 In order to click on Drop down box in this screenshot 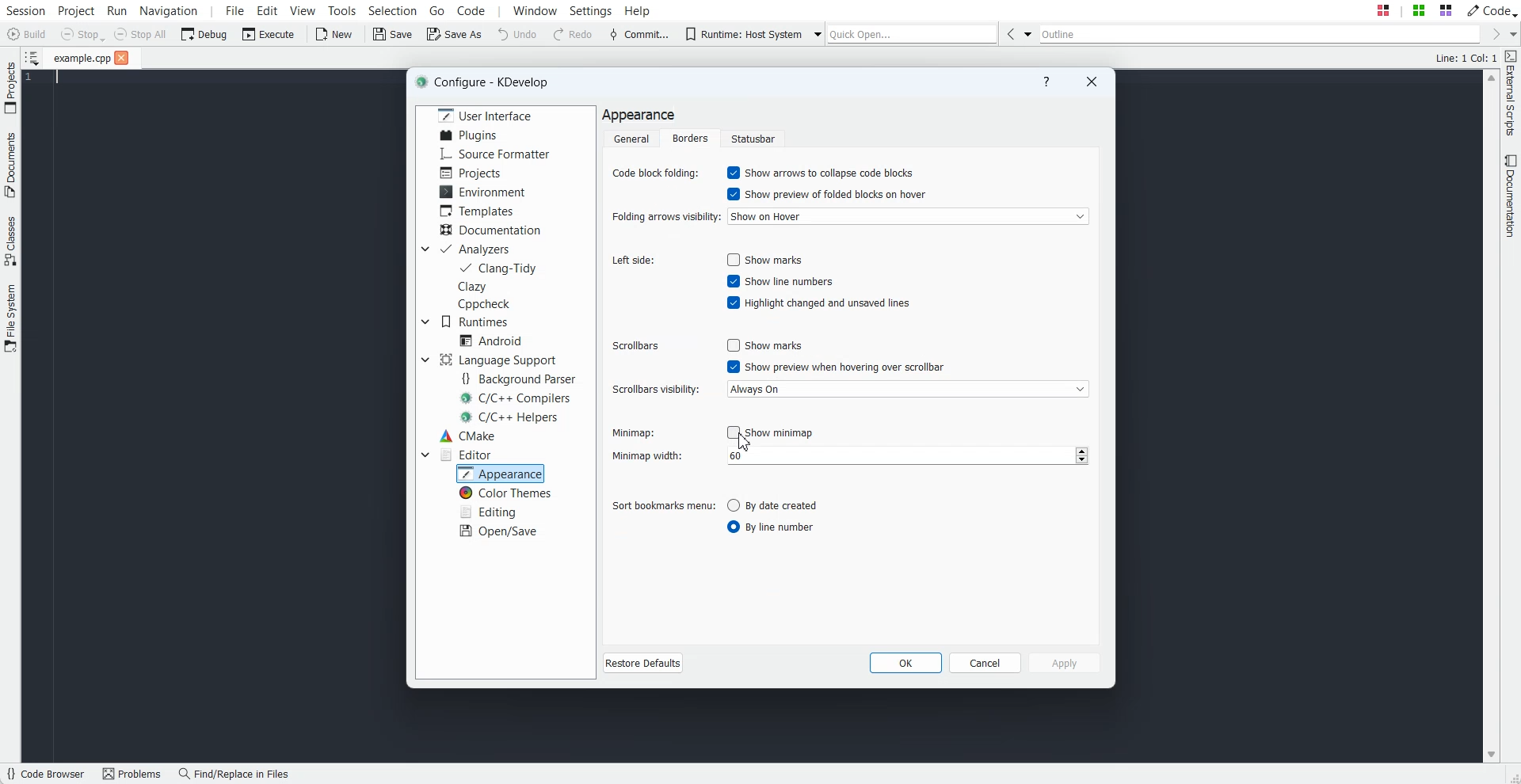, I will do `click(423, 360)`.